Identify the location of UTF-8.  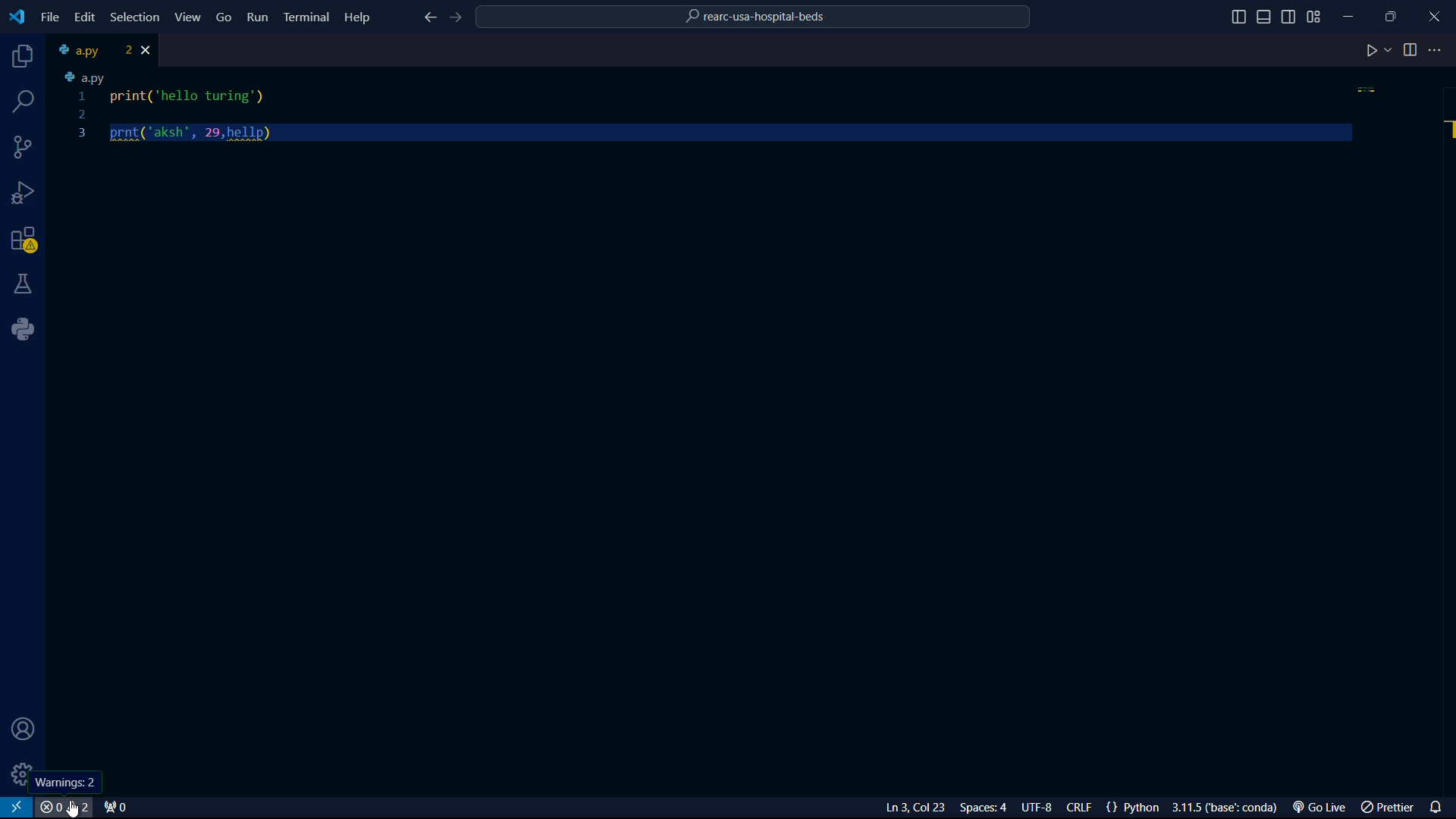
(1043, 808).